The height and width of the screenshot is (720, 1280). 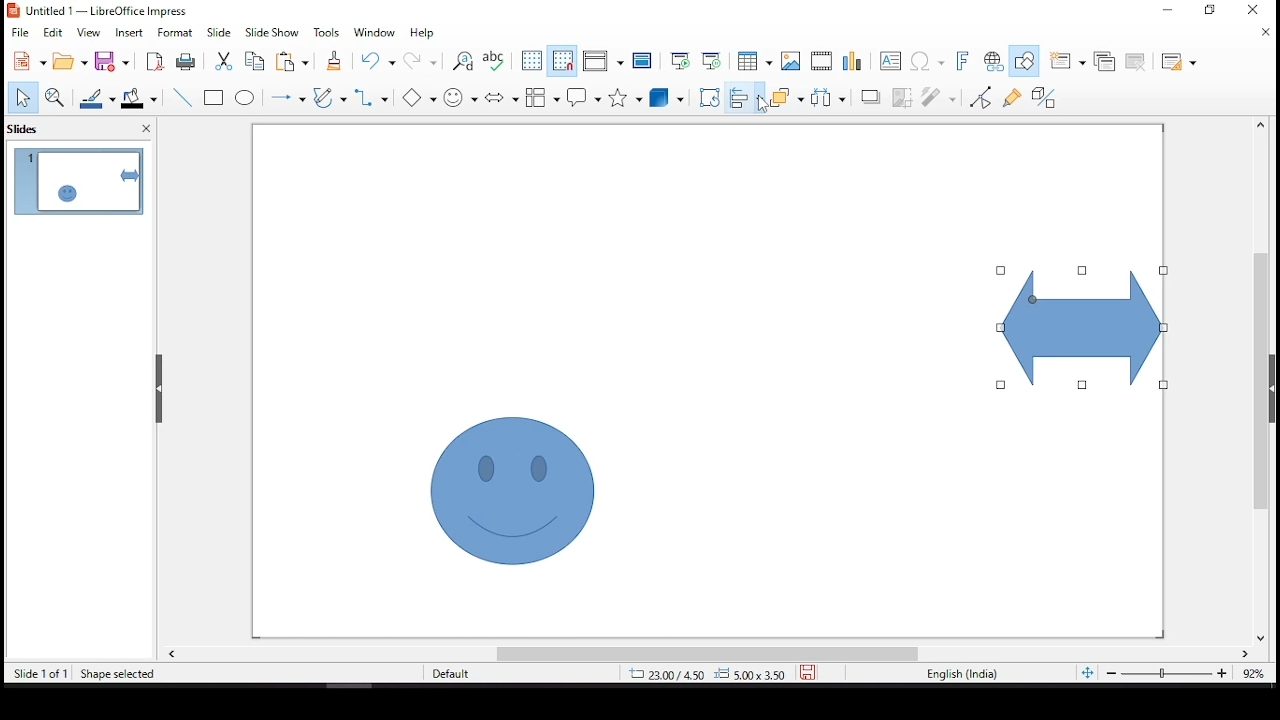 I want to click on slide 1 of 1, so click(x=41, y=675).